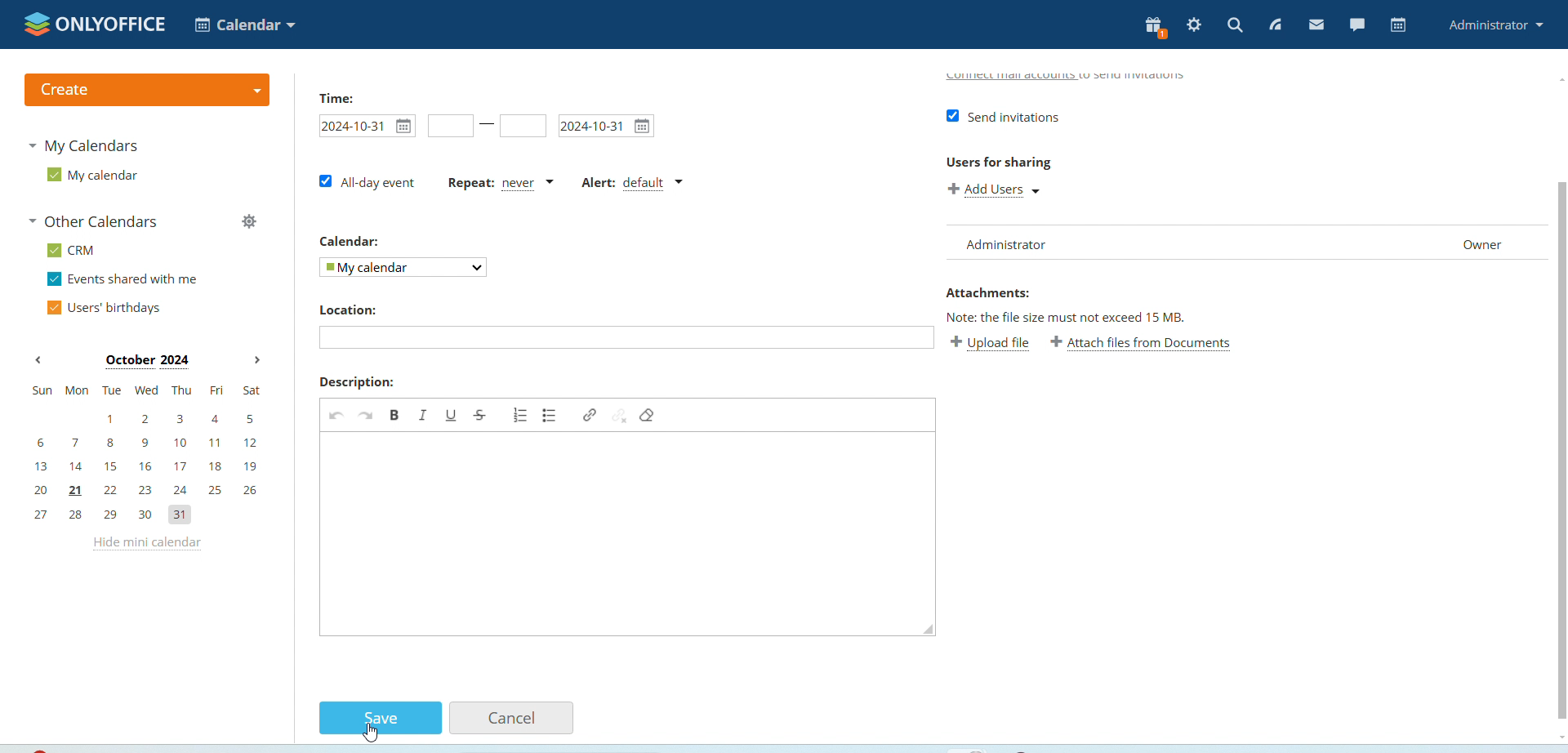 The image size is (1568, 753). I want to click on settings, so click(1195, 25).